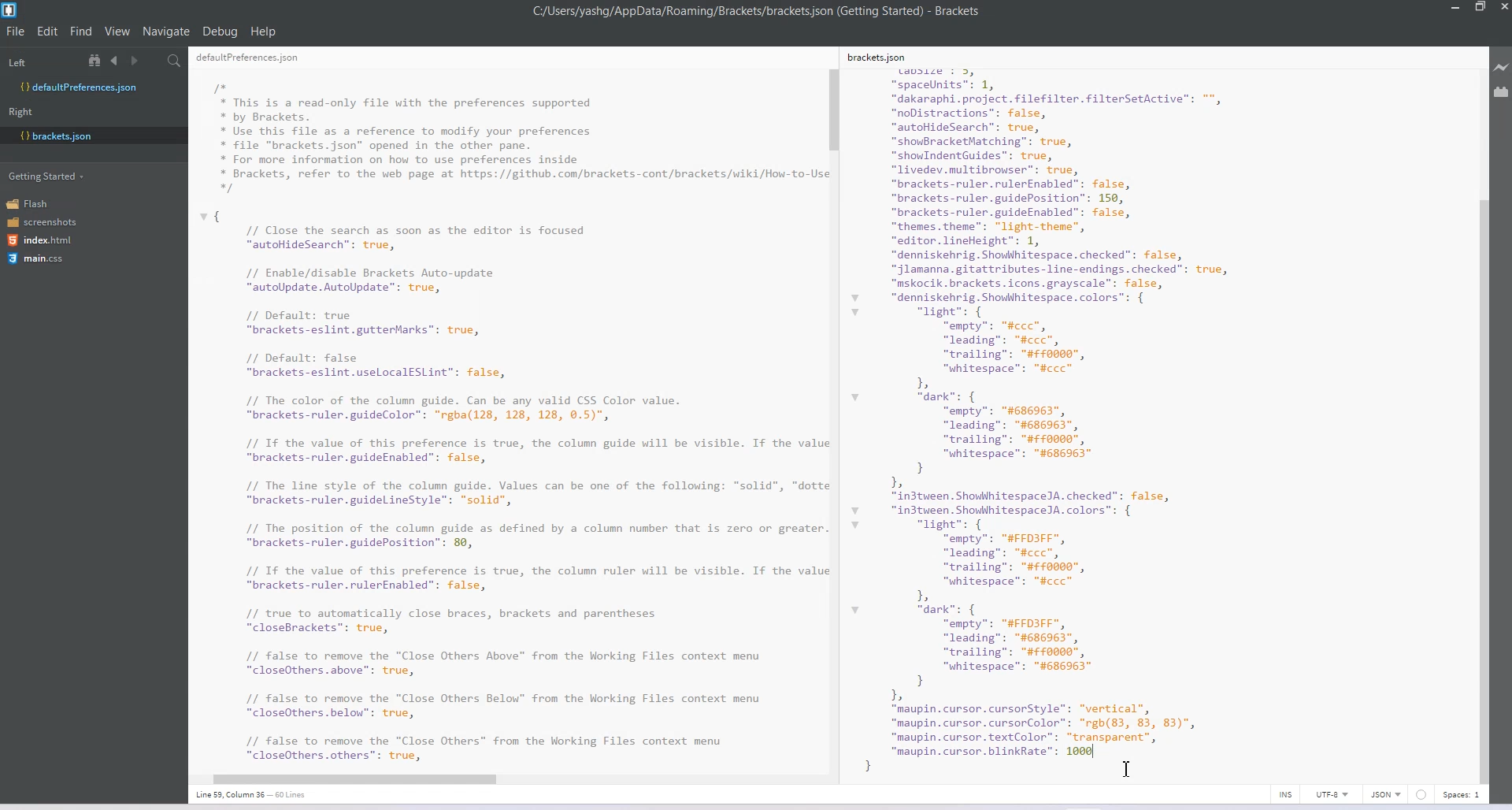 The height and width of the screenshot is (810, 1512). Describe the element at coordinates (118, 31) in the screenshot. I see `View` at that location.